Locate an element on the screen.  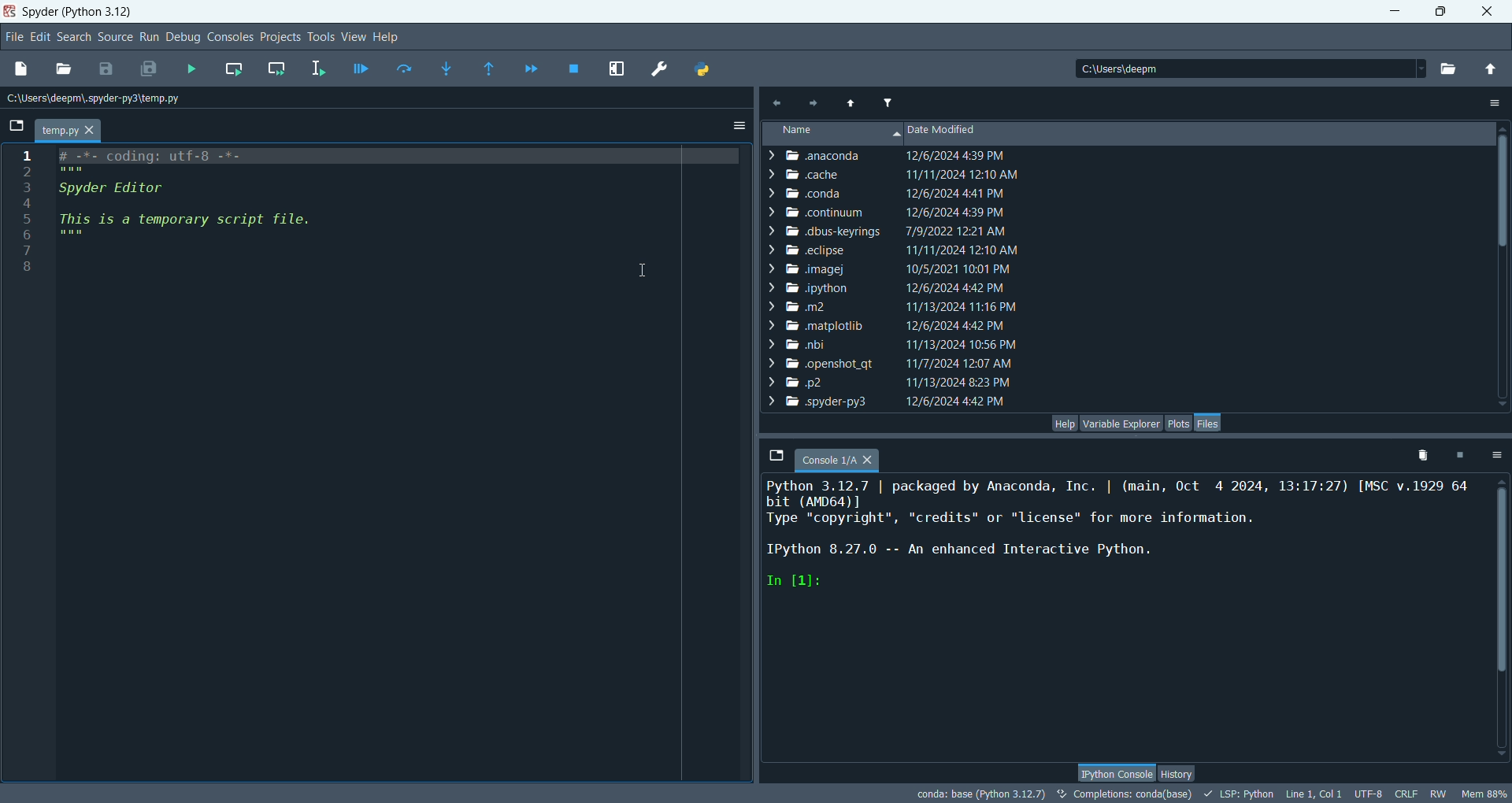
new is located at coordinates (23, 71).